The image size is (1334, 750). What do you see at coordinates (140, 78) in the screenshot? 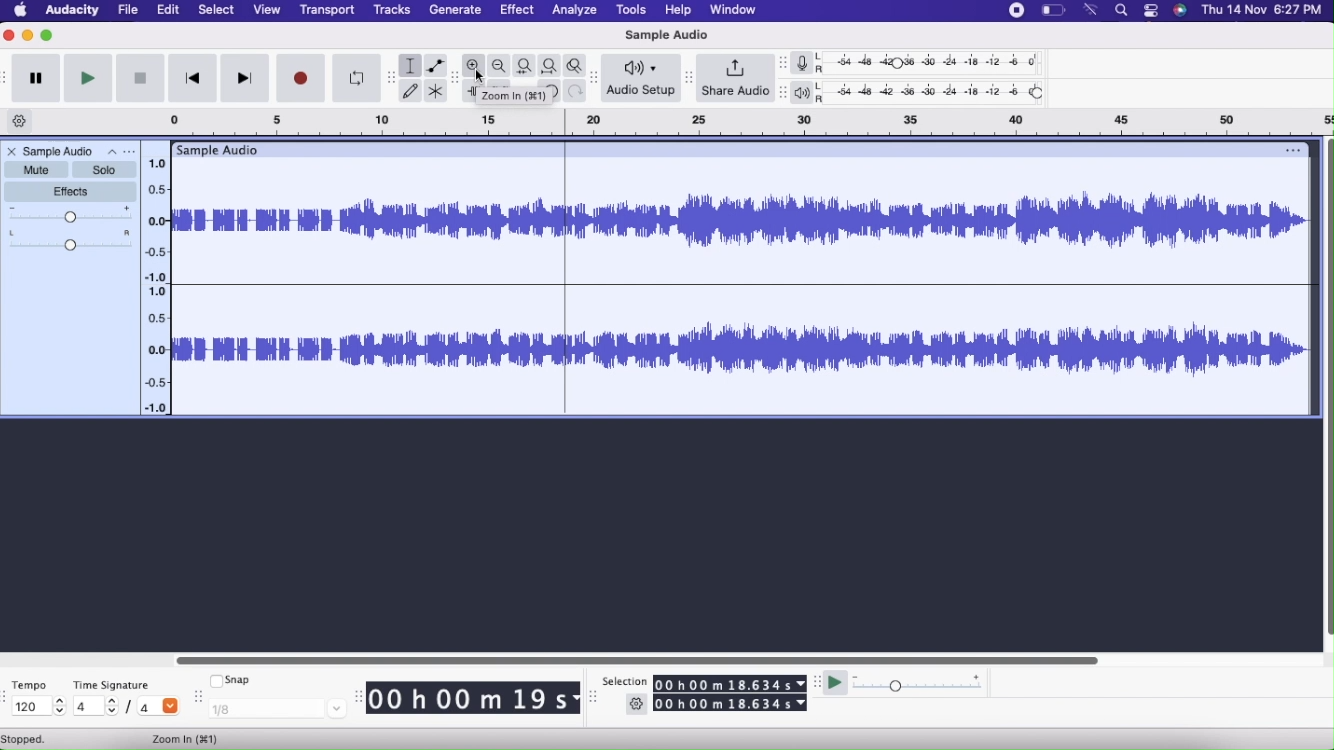
I see `Stop` at bounding box center [140, 78].